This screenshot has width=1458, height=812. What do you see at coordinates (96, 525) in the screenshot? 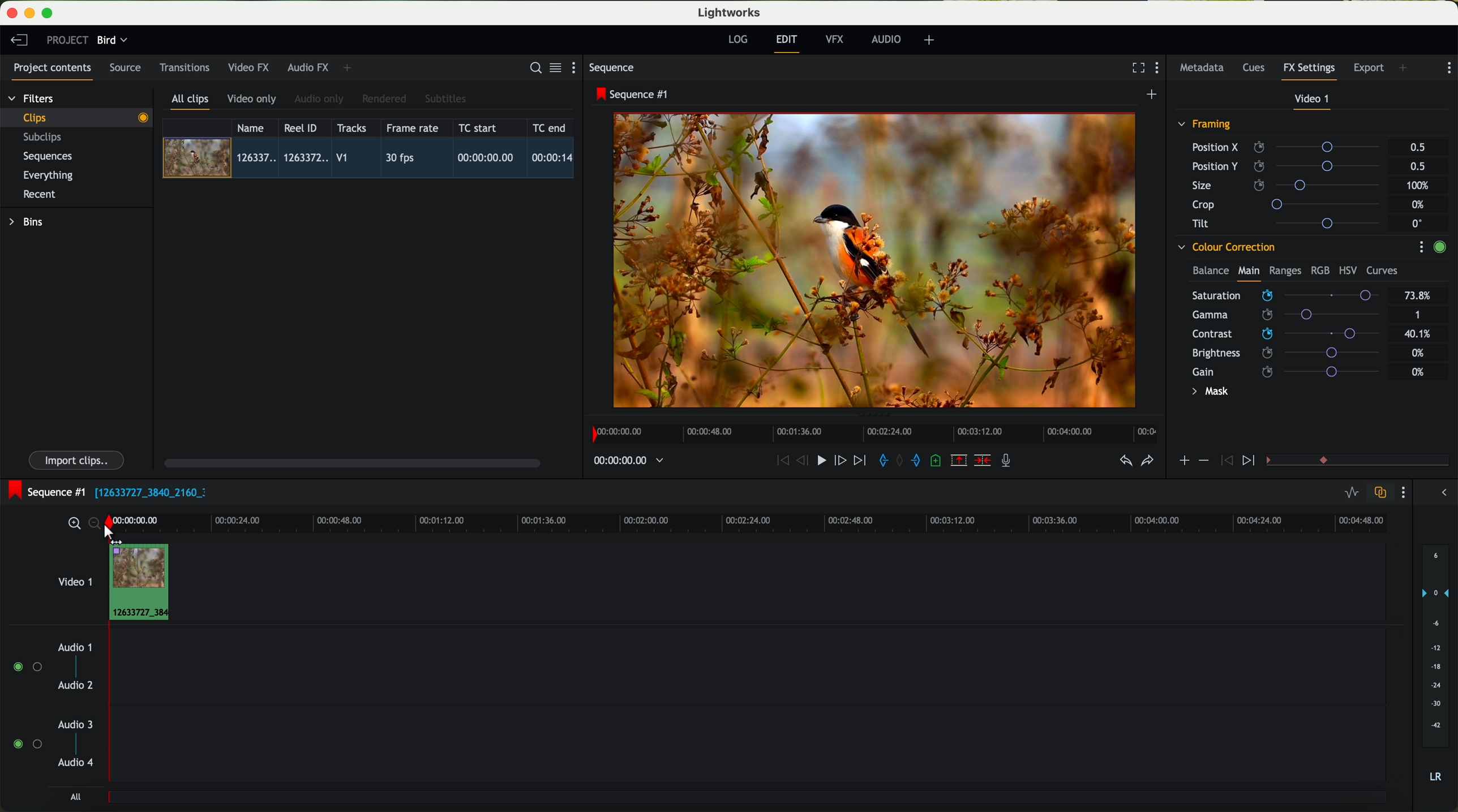
I see `zoom out` at bounding box center [96, 525].